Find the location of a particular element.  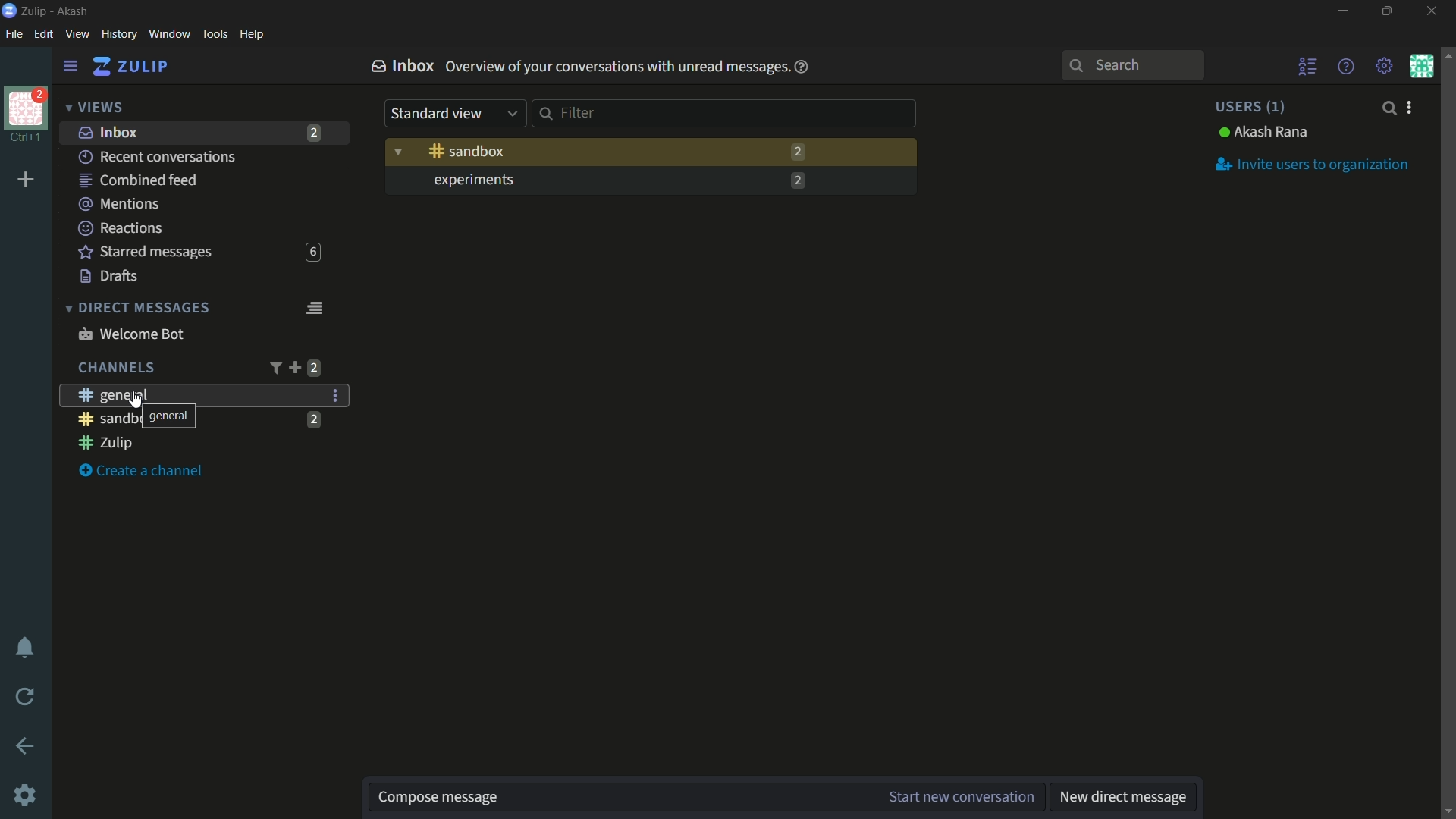

experiments is located at coordinates (472, 180).